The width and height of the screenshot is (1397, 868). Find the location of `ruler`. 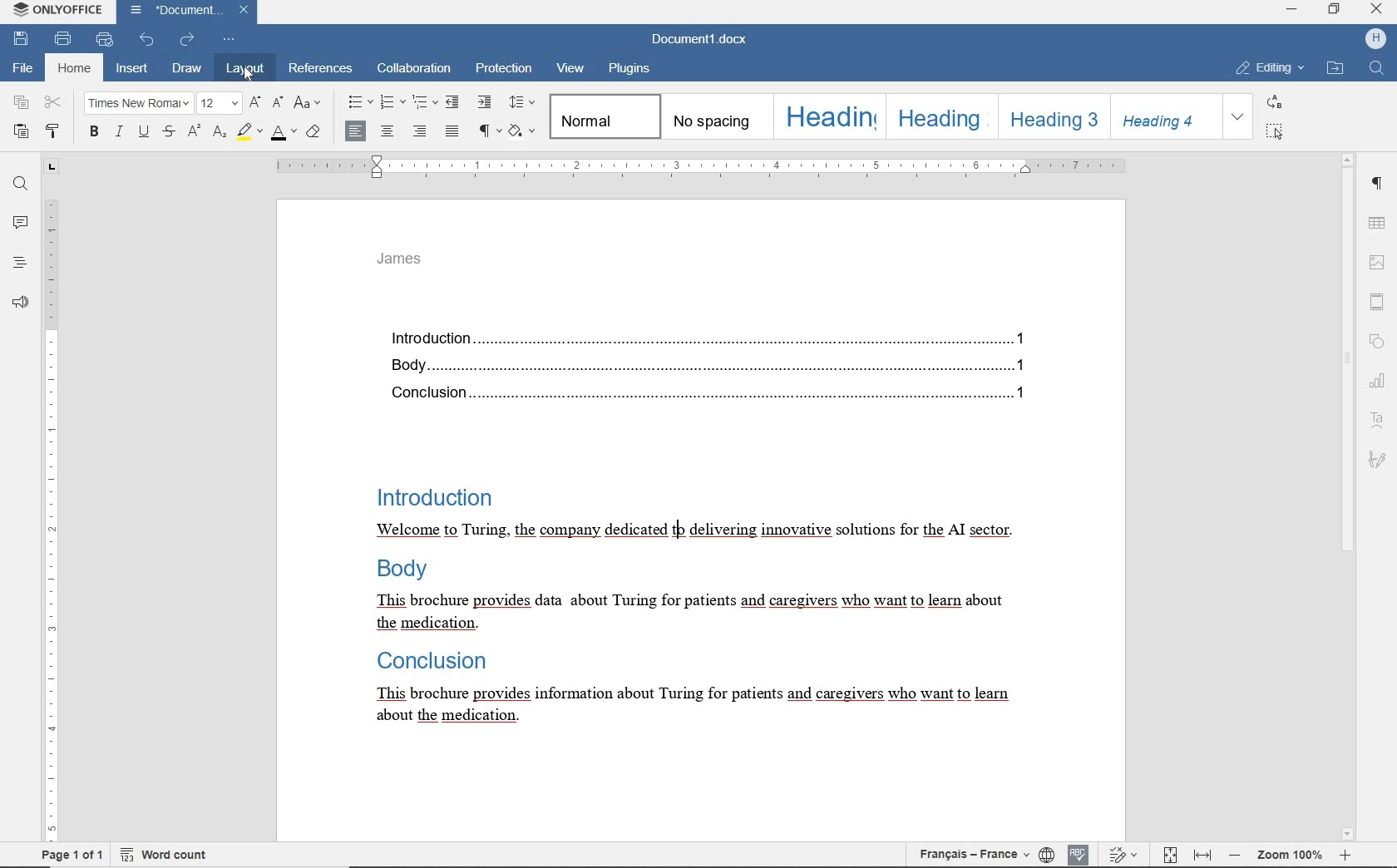

ruler is located at coordinates (52, 499).